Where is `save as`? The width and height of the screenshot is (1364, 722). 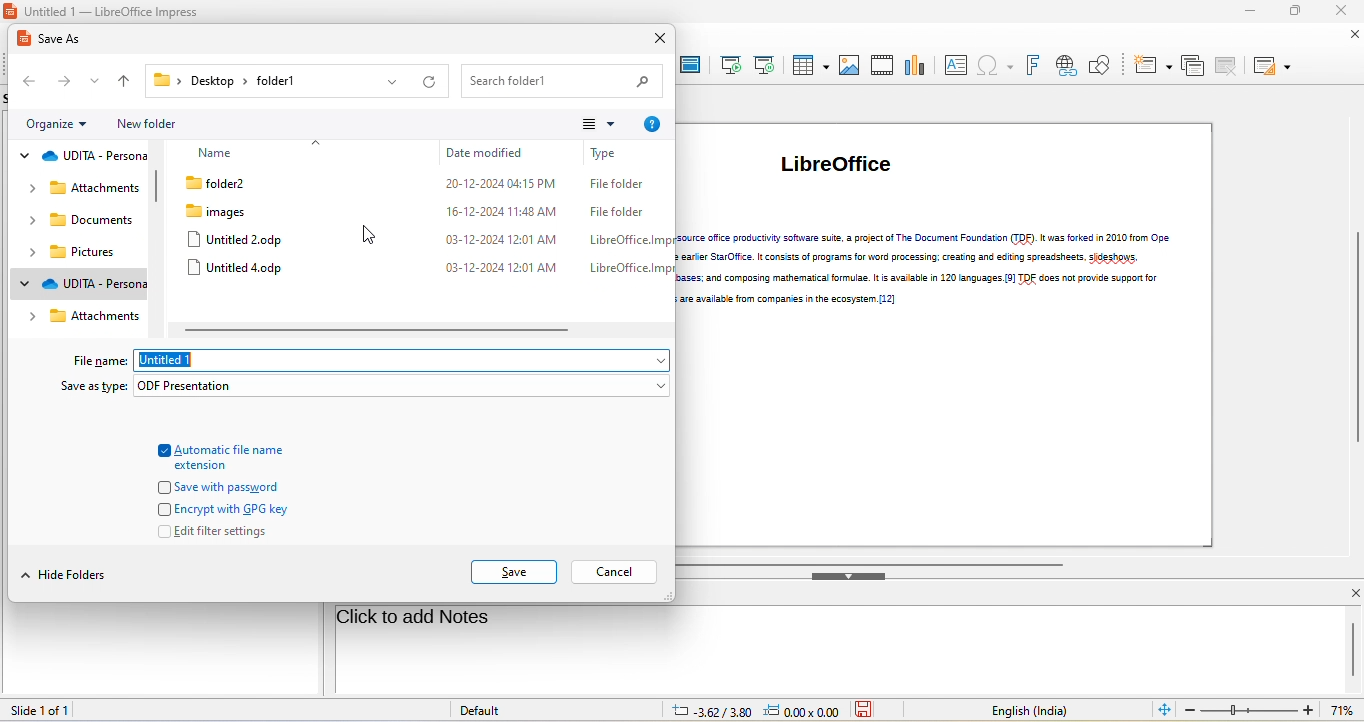 save as is located at coordinates (59, 42).